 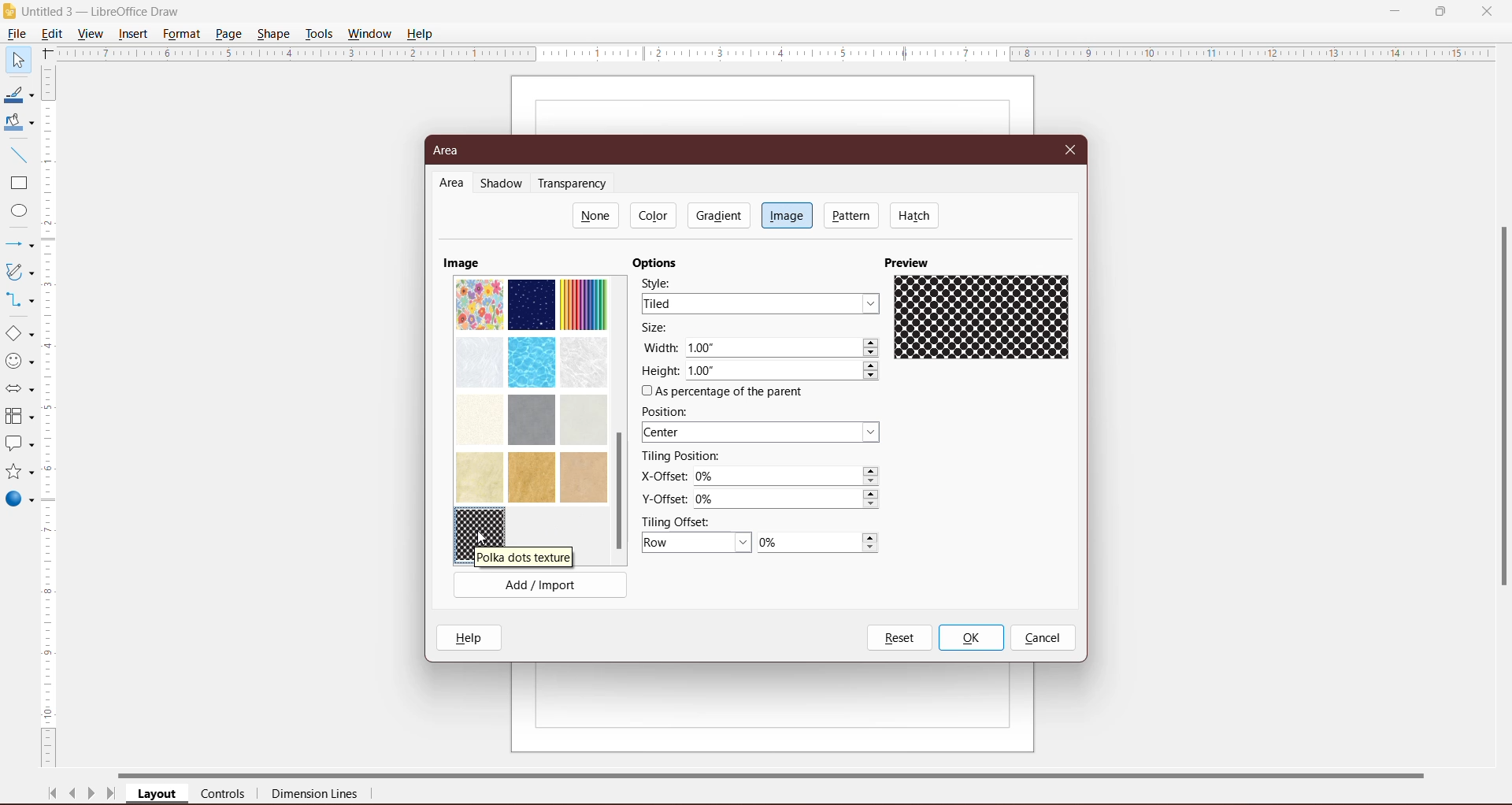 What do you see at coordinates (1499, 427) in the screenshot?
I see `scrollbar` at bounding box center [1499, 427].